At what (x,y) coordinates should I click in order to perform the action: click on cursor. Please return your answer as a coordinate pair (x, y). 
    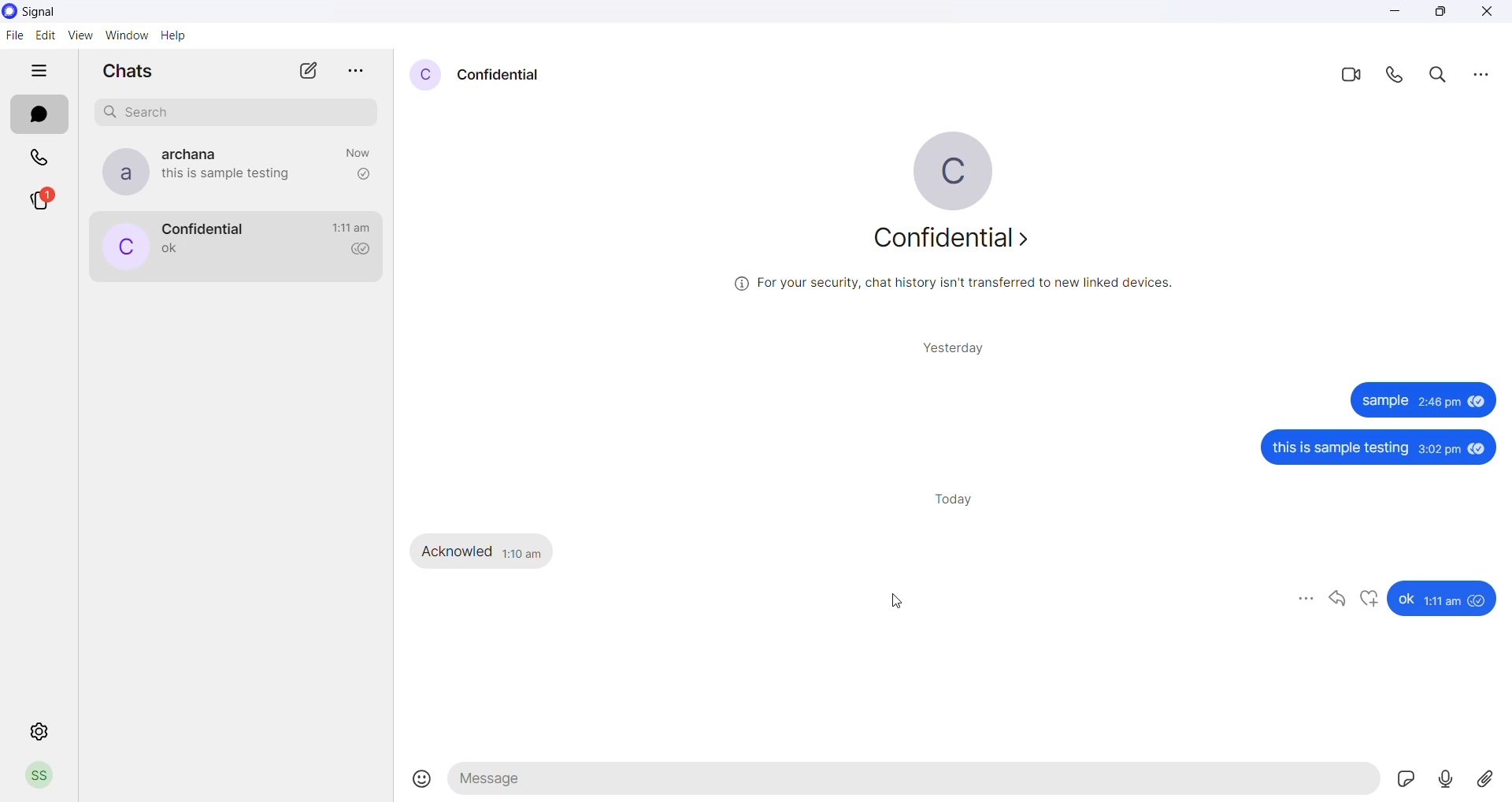
    Looking at the image, I should click on (894, 604).